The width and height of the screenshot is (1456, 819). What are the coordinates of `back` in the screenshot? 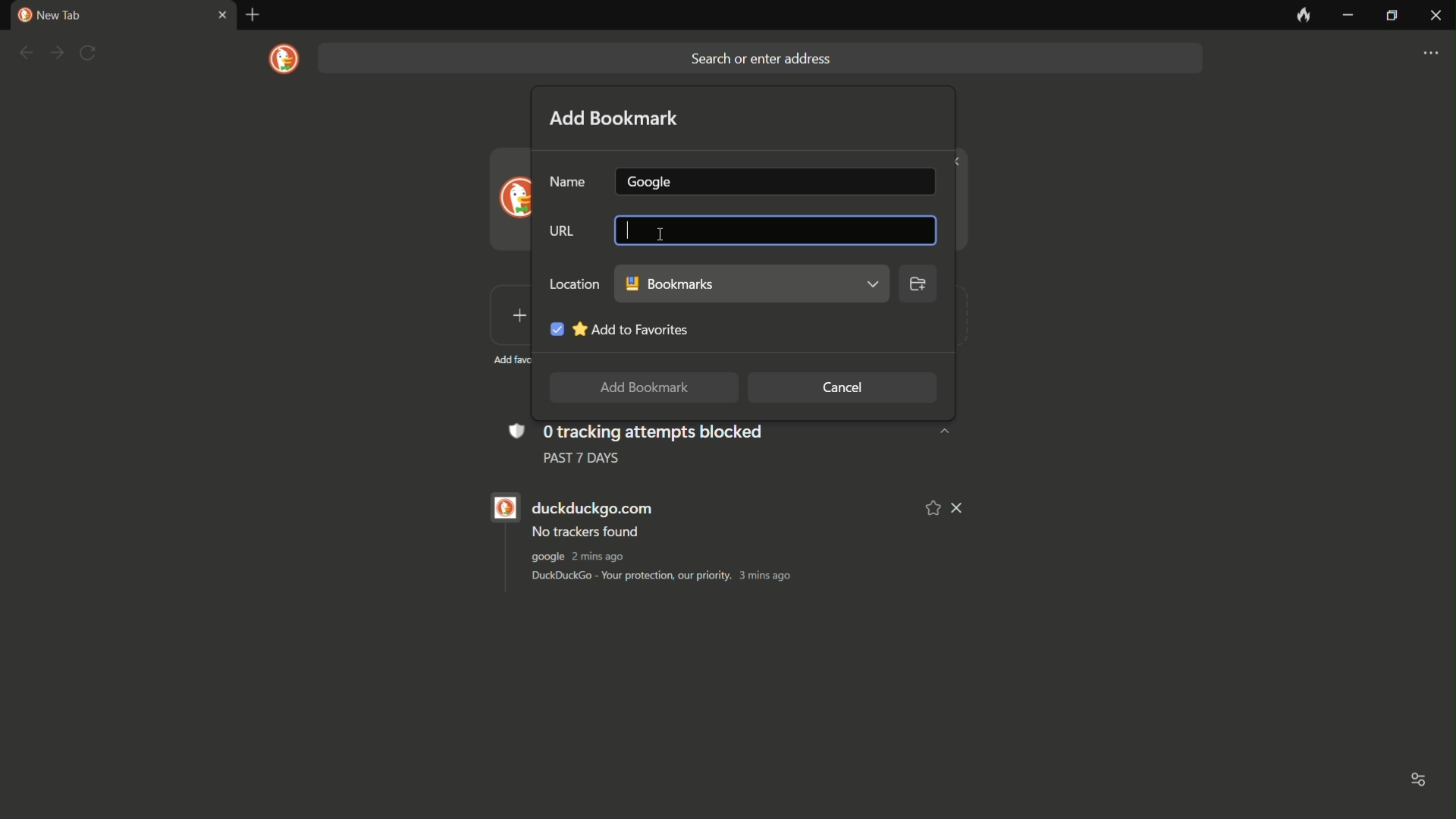 It's located at (25, 53).